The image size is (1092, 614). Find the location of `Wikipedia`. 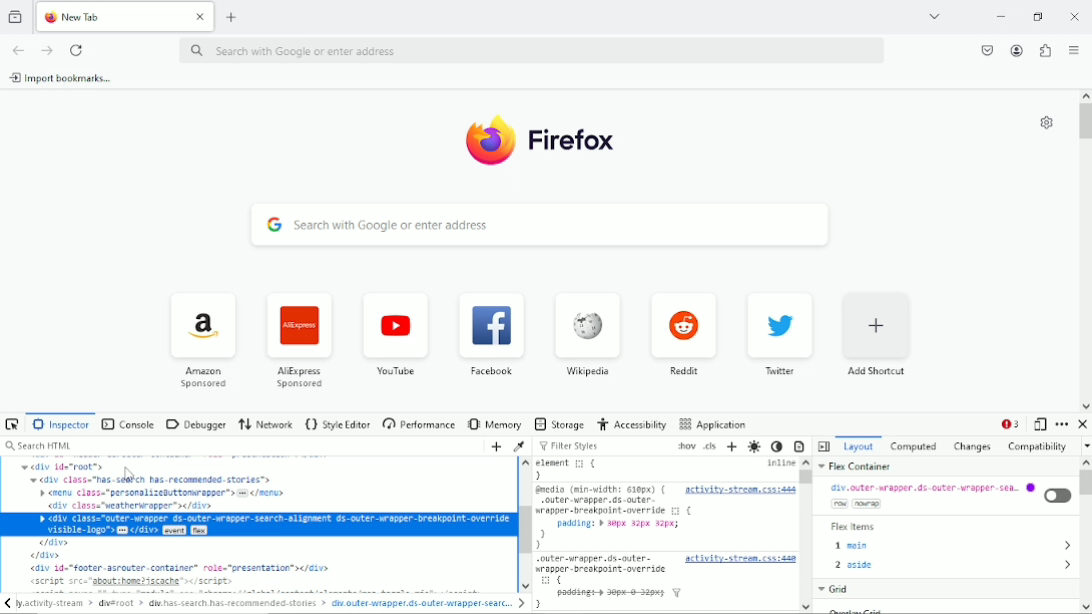

Wikipedia is located at coordinates (586, 336).